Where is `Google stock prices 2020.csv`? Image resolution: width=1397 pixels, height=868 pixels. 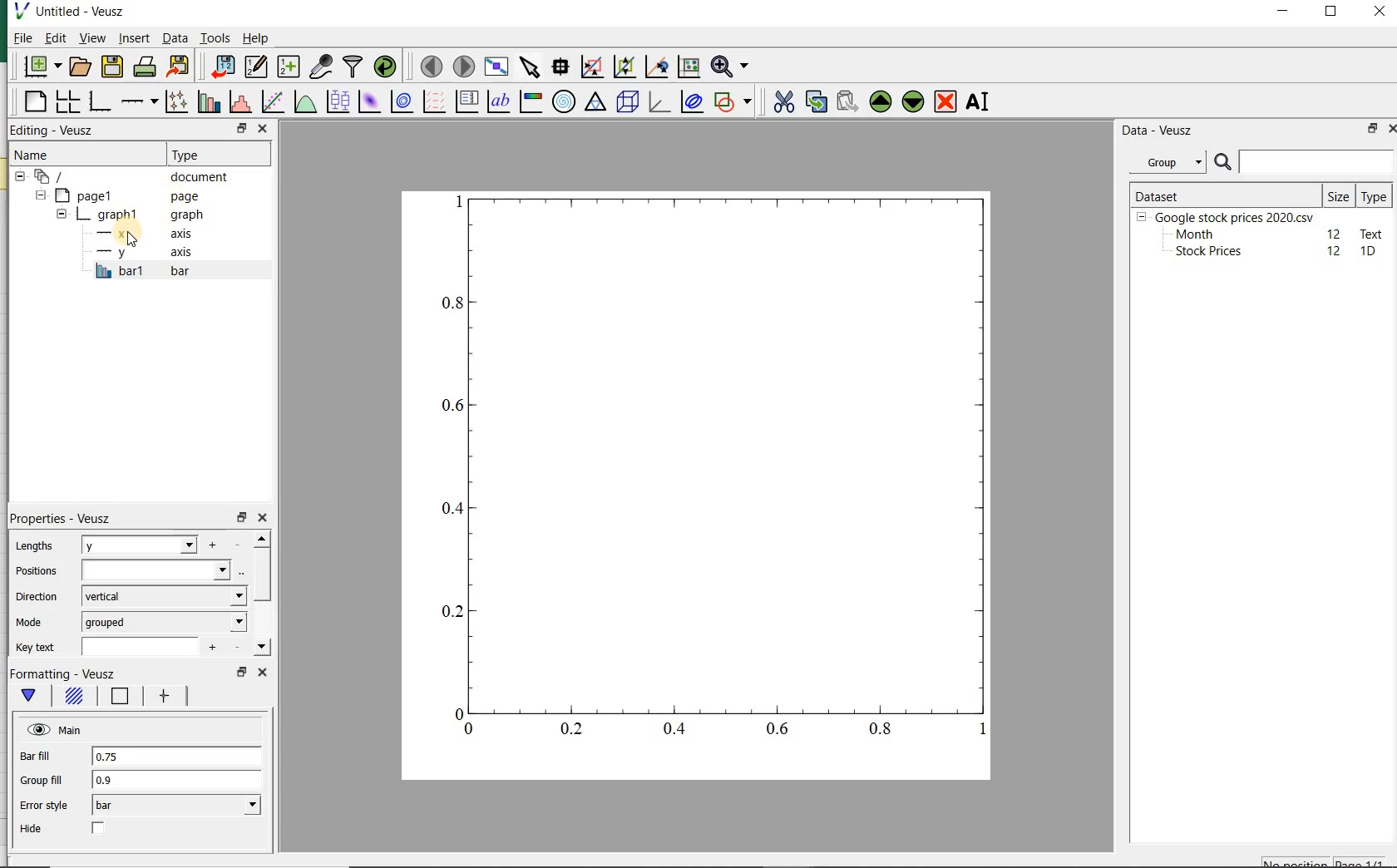 Google stock prices 2020.csv is located at coordinates (1228, 216).